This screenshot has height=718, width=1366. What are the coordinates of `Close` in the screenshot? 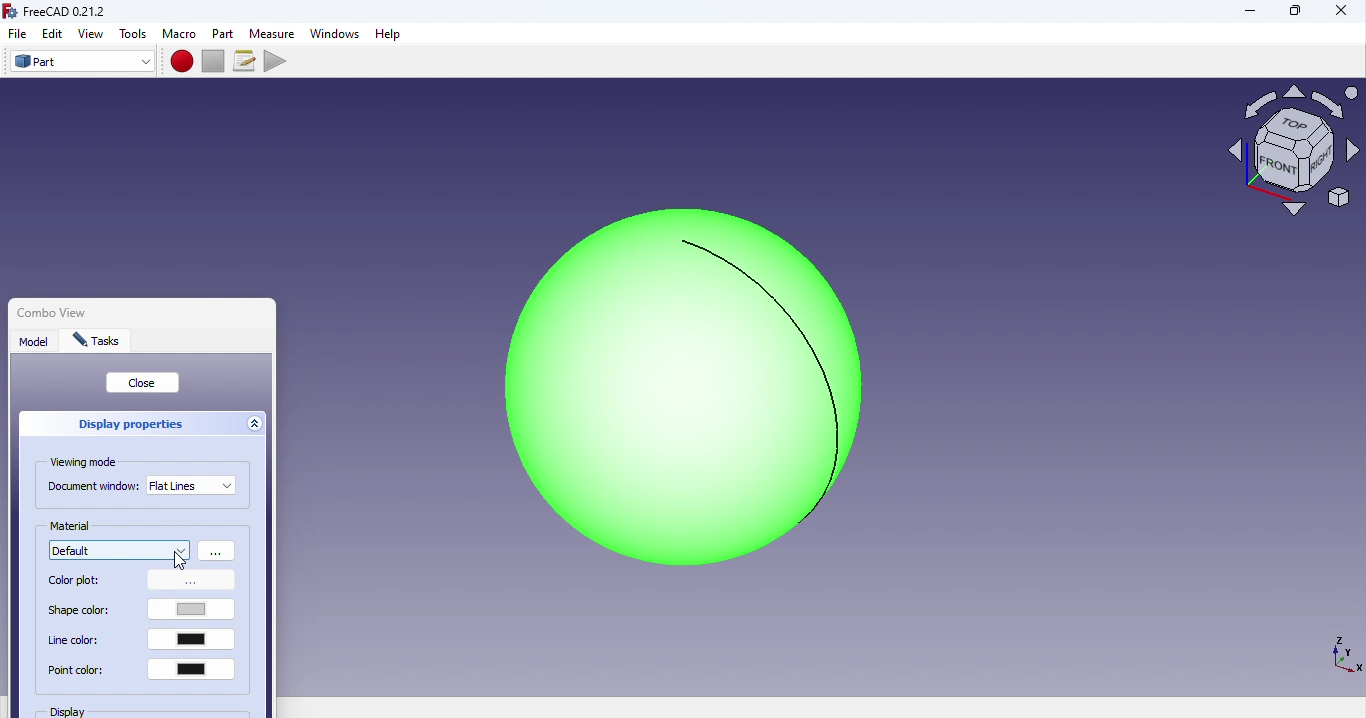 It's located at (1333, 14).